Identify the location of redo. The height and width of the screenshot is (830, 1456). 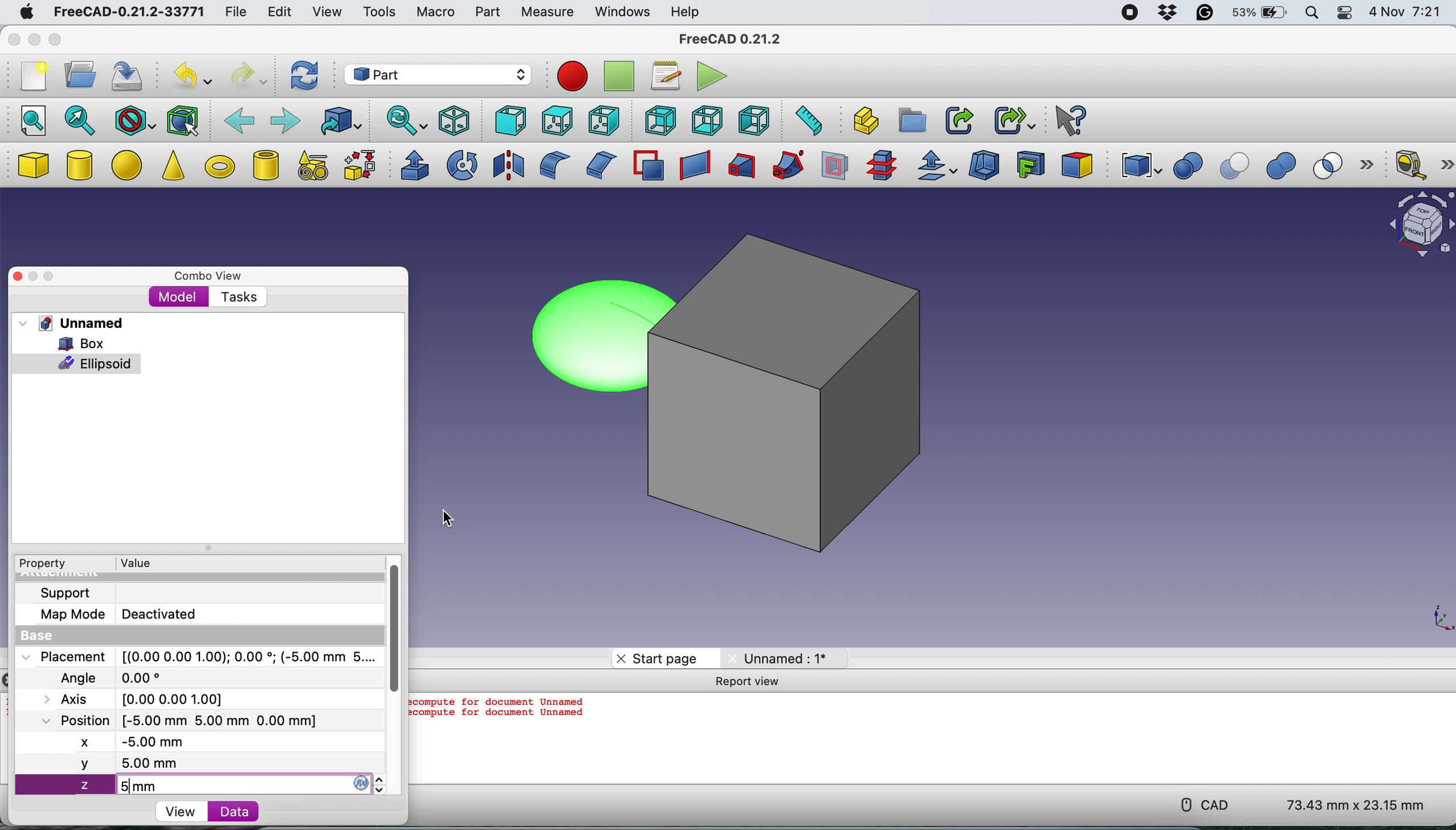
(248, 76).